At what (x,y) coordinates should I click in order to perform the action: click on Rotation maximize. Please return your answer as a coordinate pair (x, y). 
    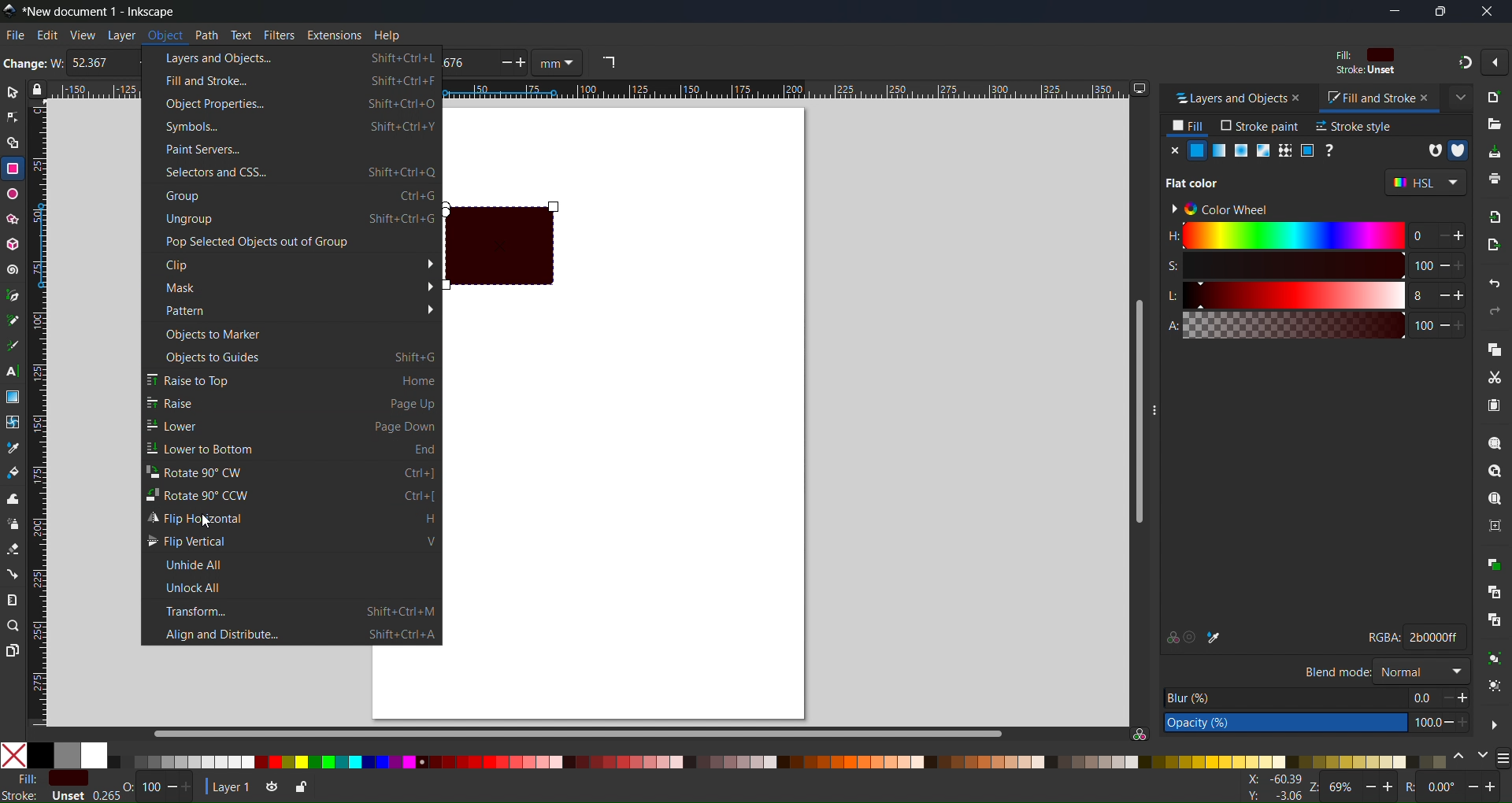
    Looking at the image, I should click on (1493, 787).